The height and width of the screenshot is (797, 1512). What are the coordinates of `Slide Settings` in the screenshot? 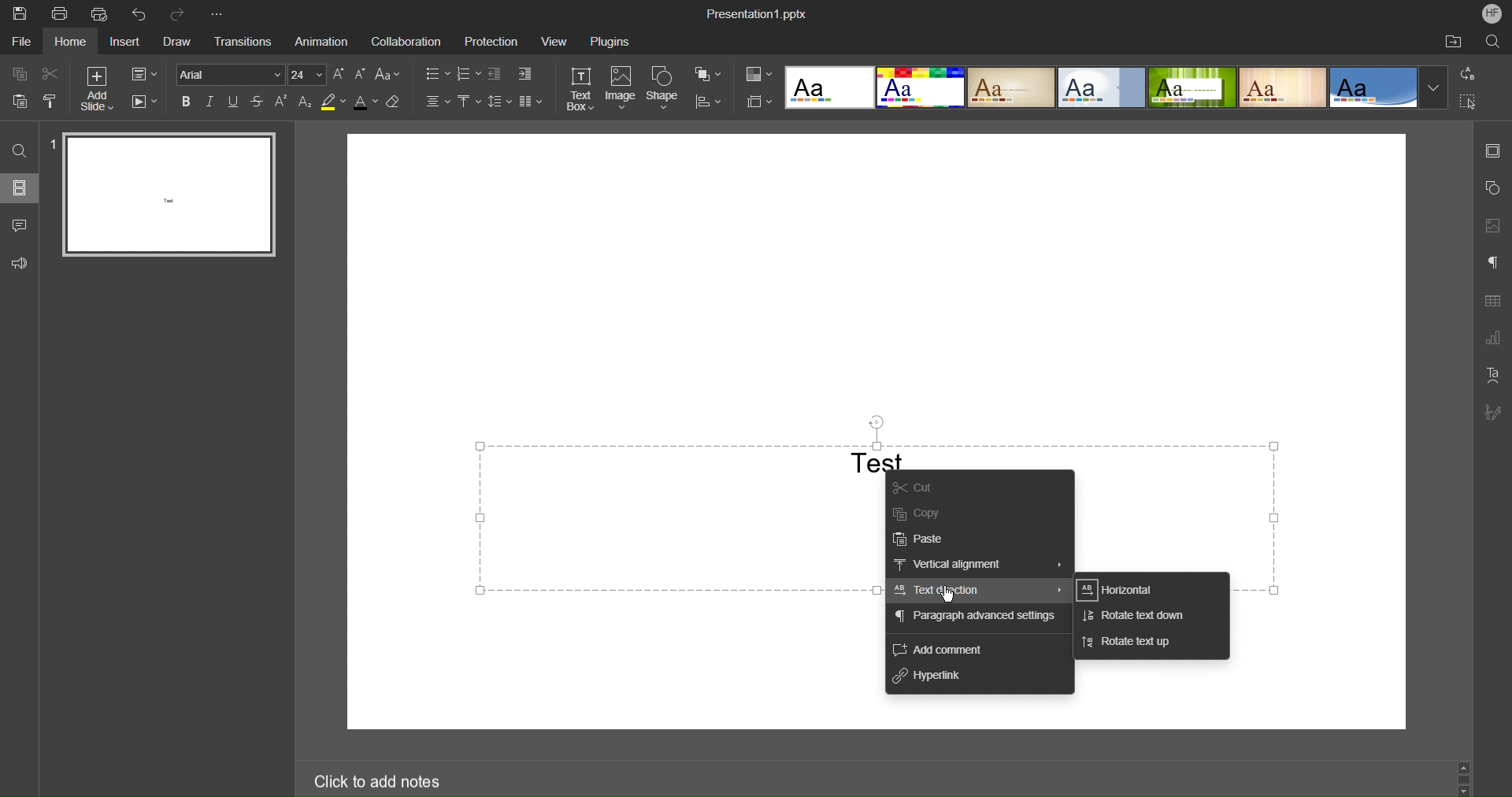 It's located at (144, 73).